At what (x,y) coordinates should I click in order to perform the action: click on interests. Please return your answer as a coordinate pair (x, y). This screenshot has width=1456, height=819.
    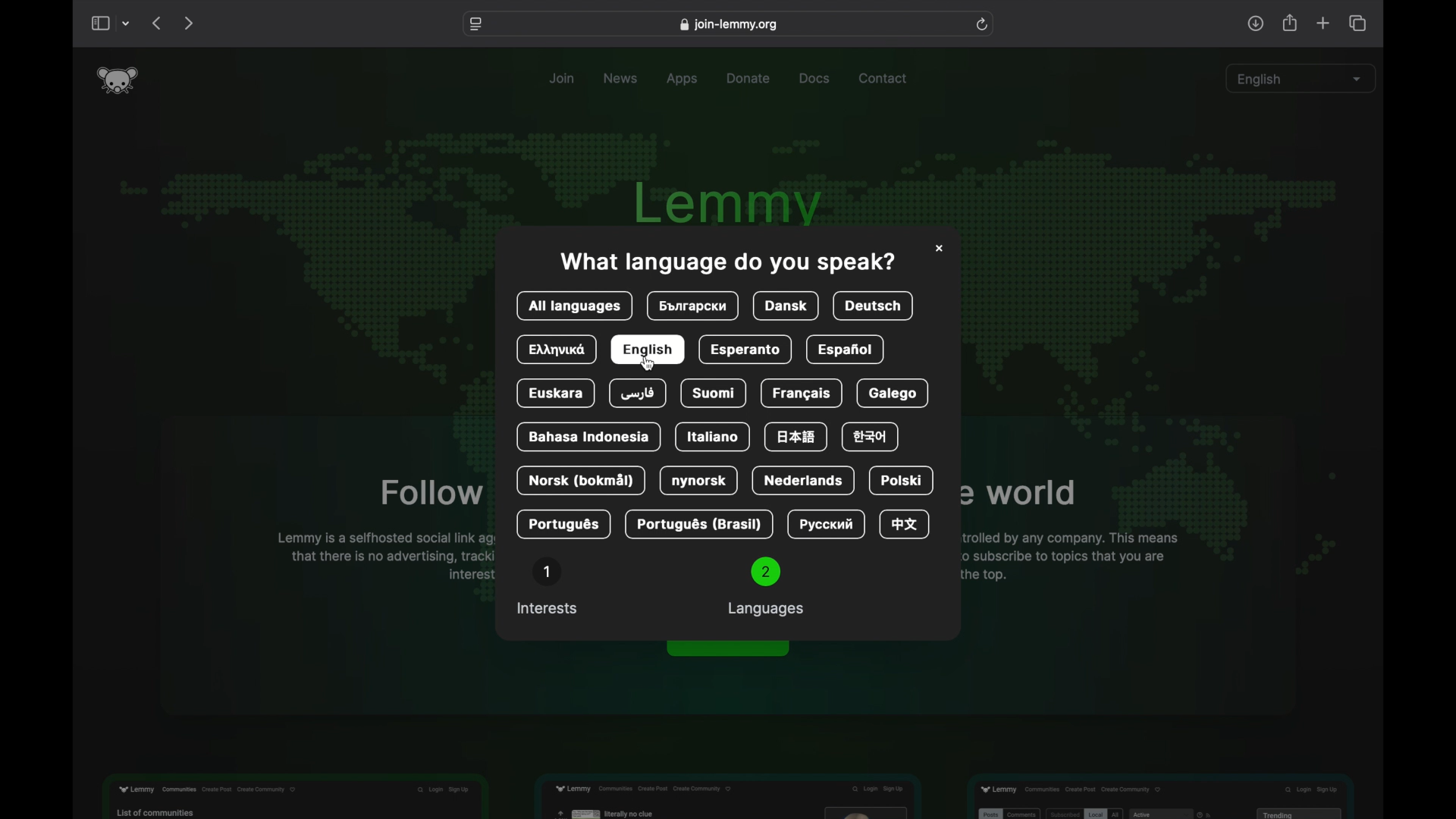
    Looking at the image, I should click on (547, 586).